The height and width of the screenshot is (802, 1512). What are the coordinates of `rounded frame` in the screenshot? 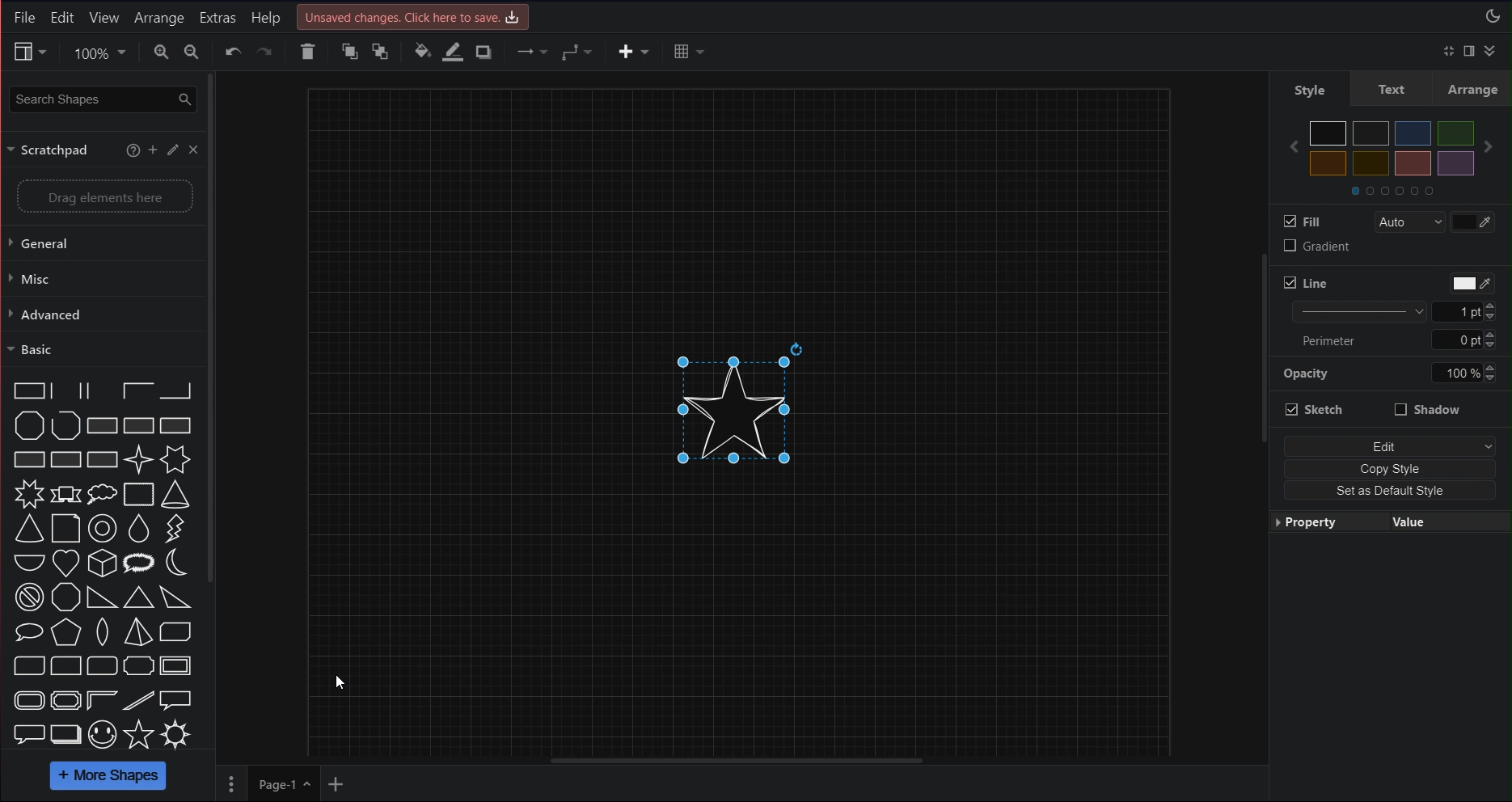 It's located at (30, 700).